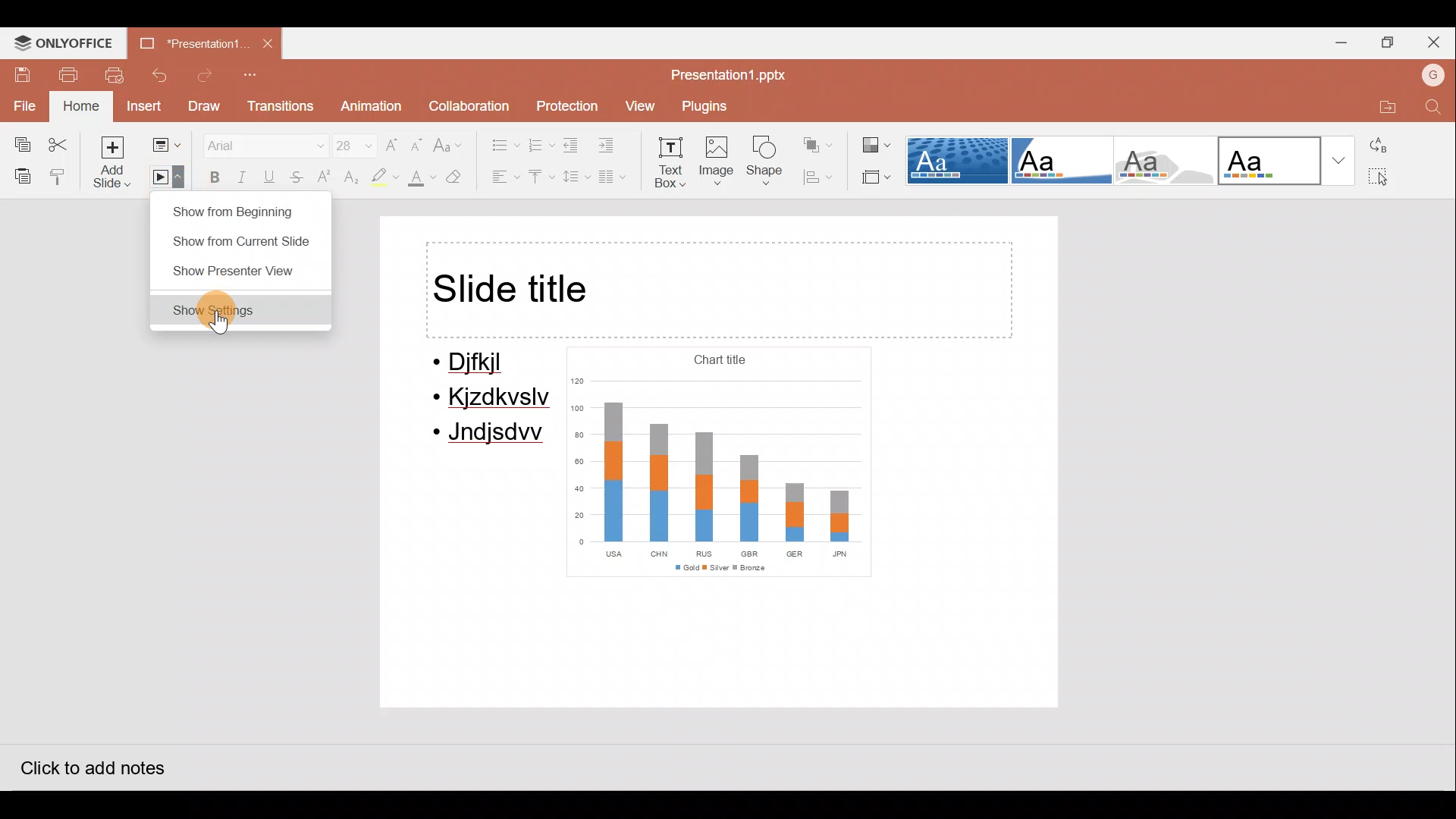  I want to click on Document name, so click(727, 74).